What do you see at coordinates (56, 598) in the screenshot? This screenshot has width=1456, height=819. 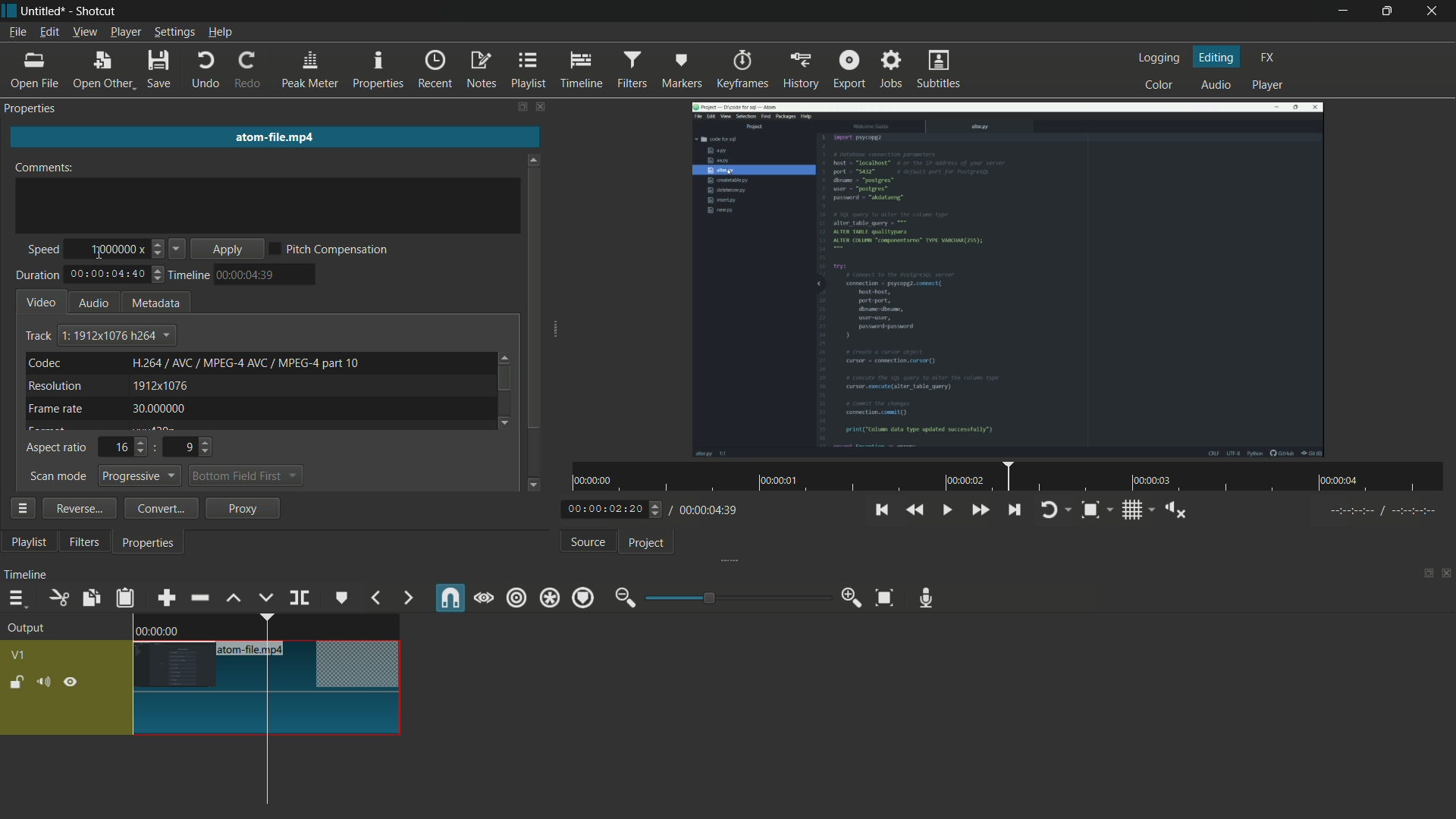 I see `cut` at bounding box center [56, 598].